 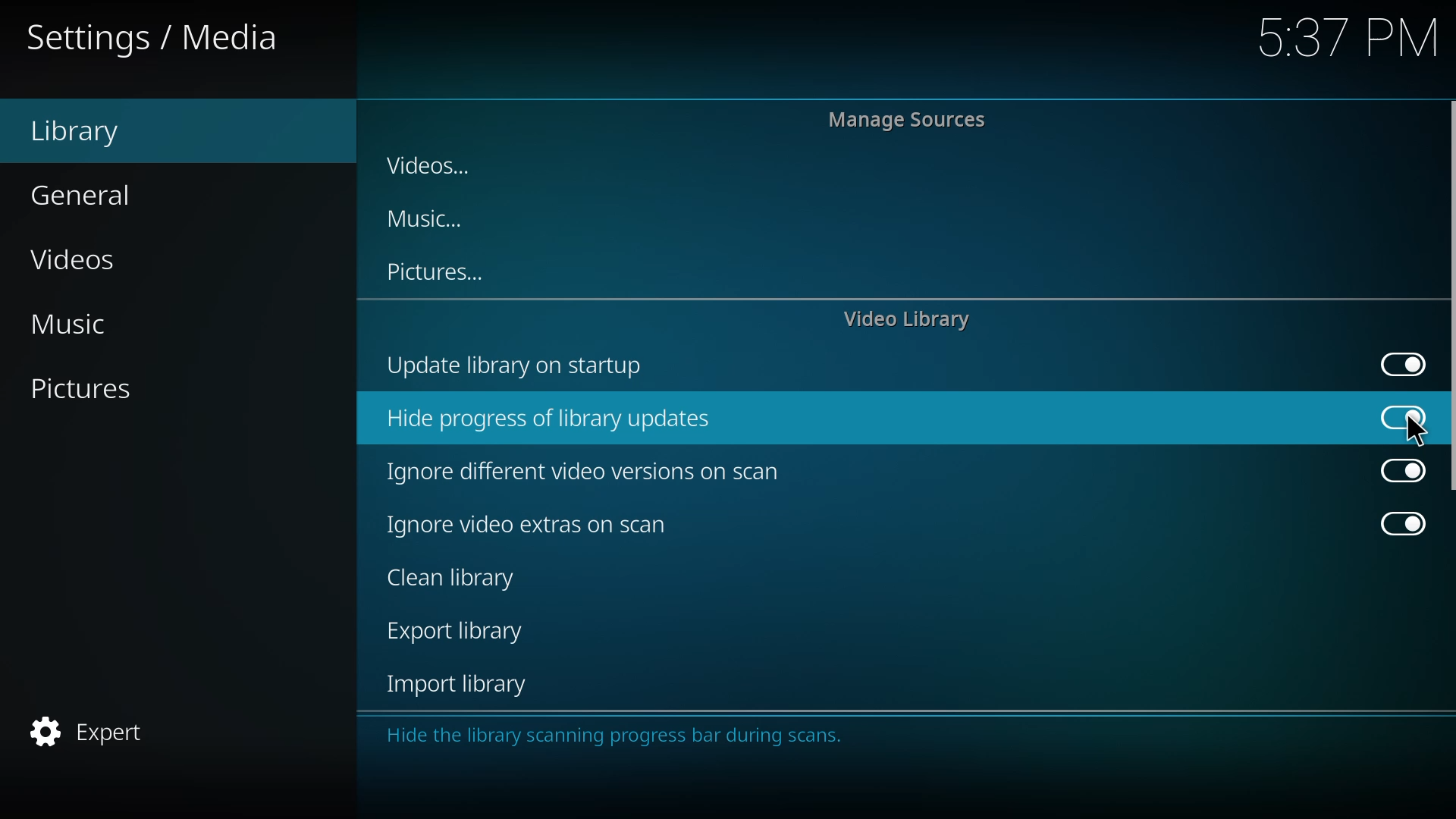 I want to click on update library on startup, so click(x=519, y=366).